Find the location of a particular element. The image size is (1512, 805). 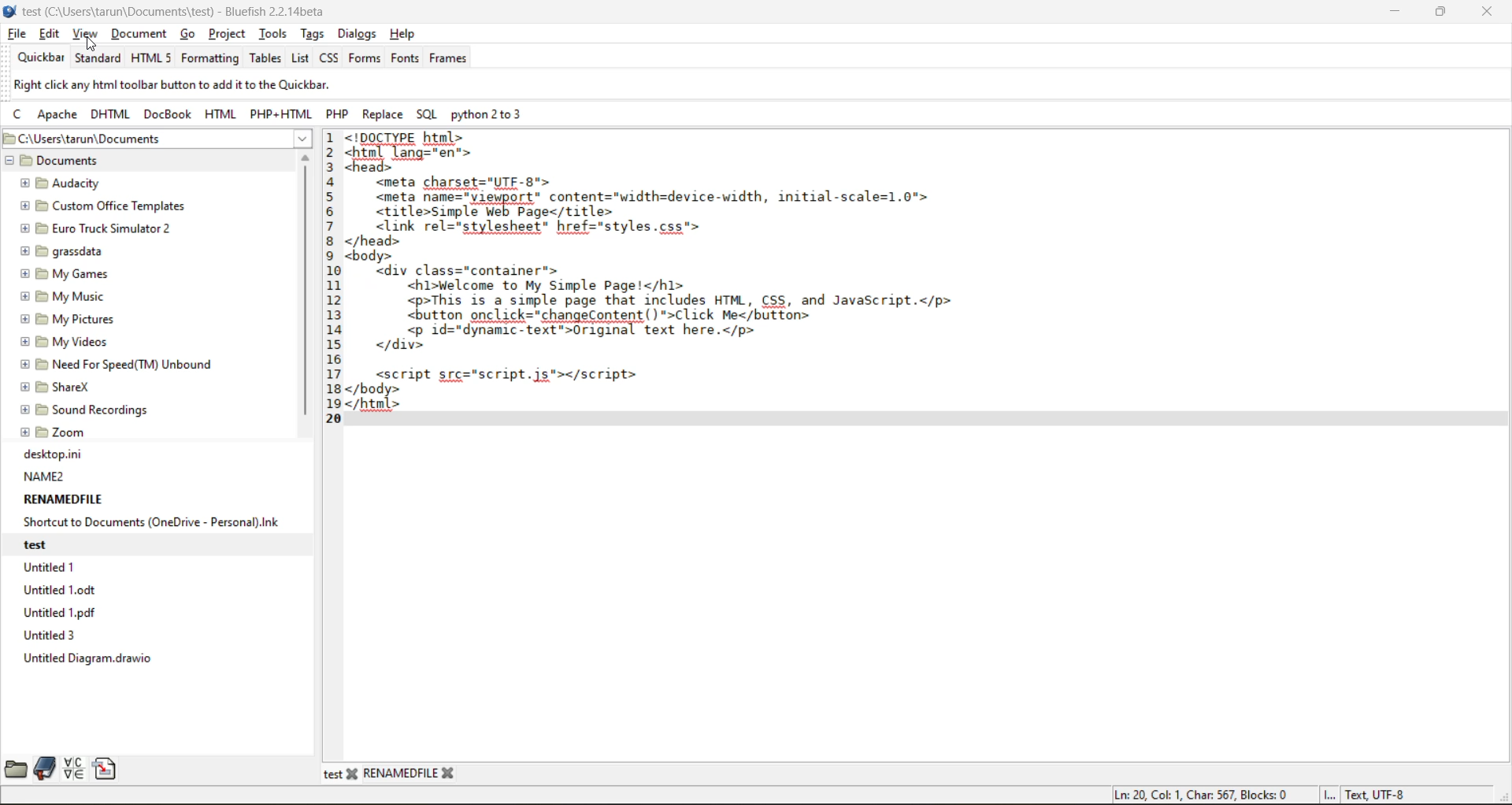

charmap is located at coordinates (73, 768).